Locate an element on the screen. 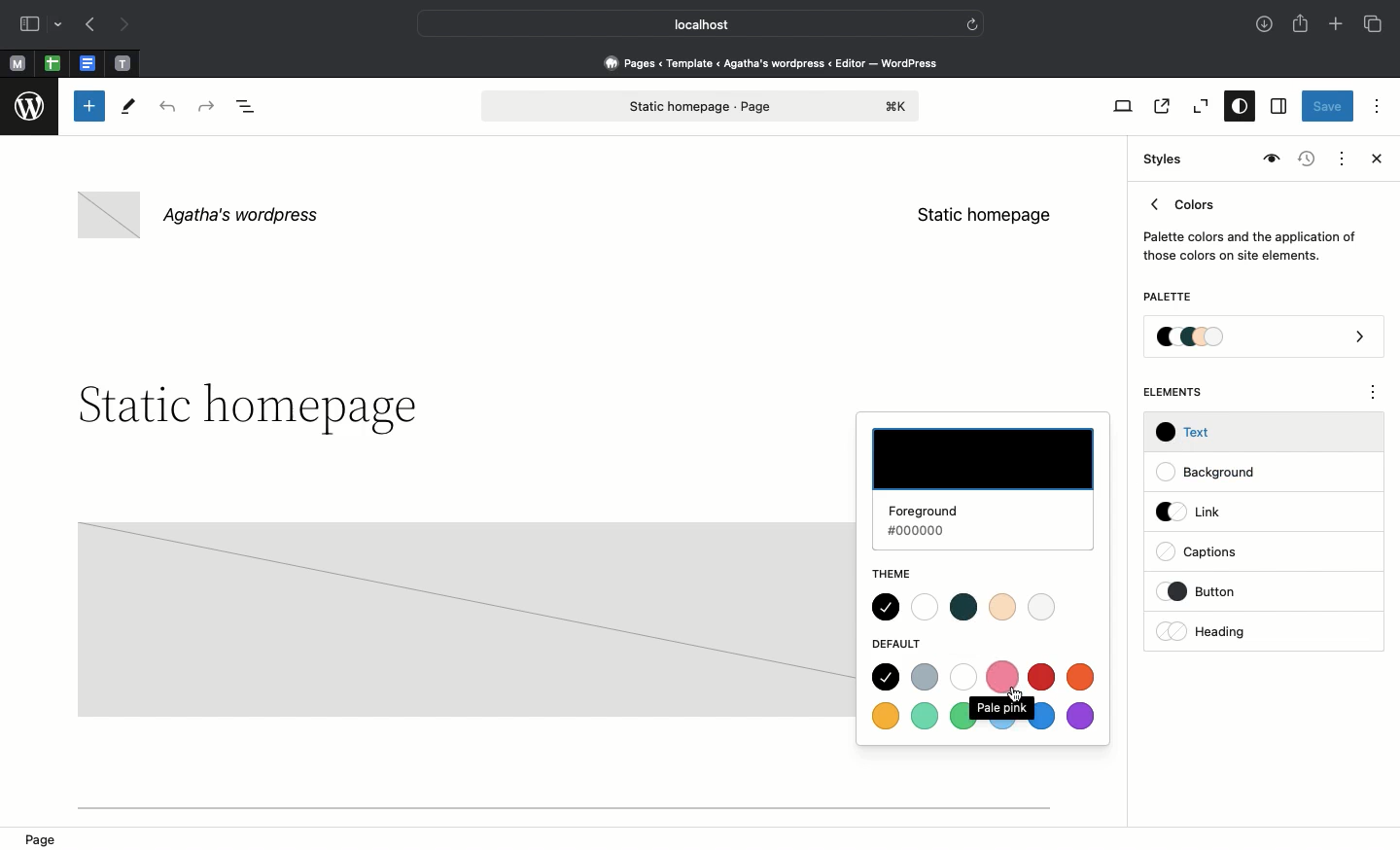 This screenshot has width=1400, height=850. Elements is located at coordinates (1183, 392).